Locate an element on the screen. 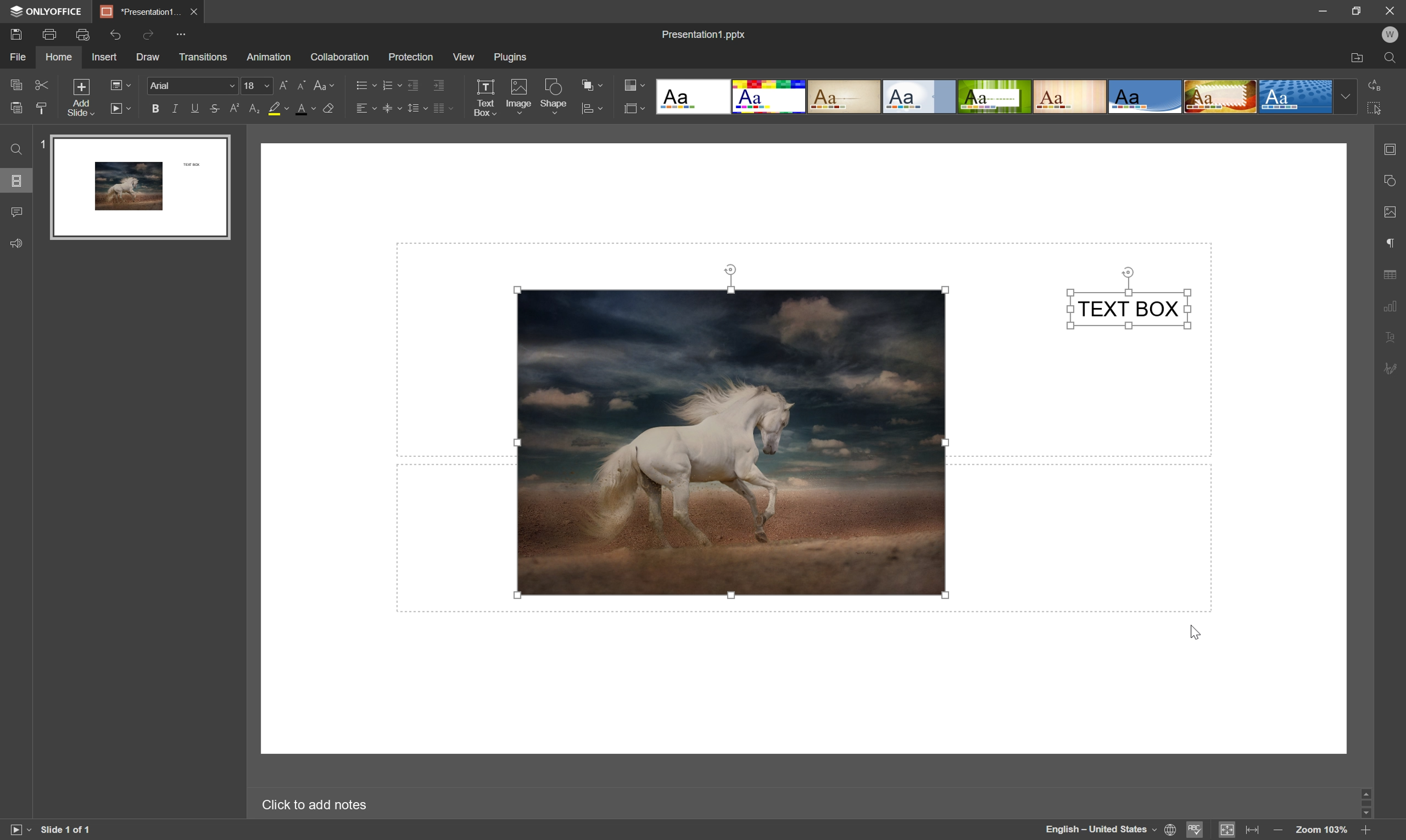  feedback & support is located at coordinates (16, 245).